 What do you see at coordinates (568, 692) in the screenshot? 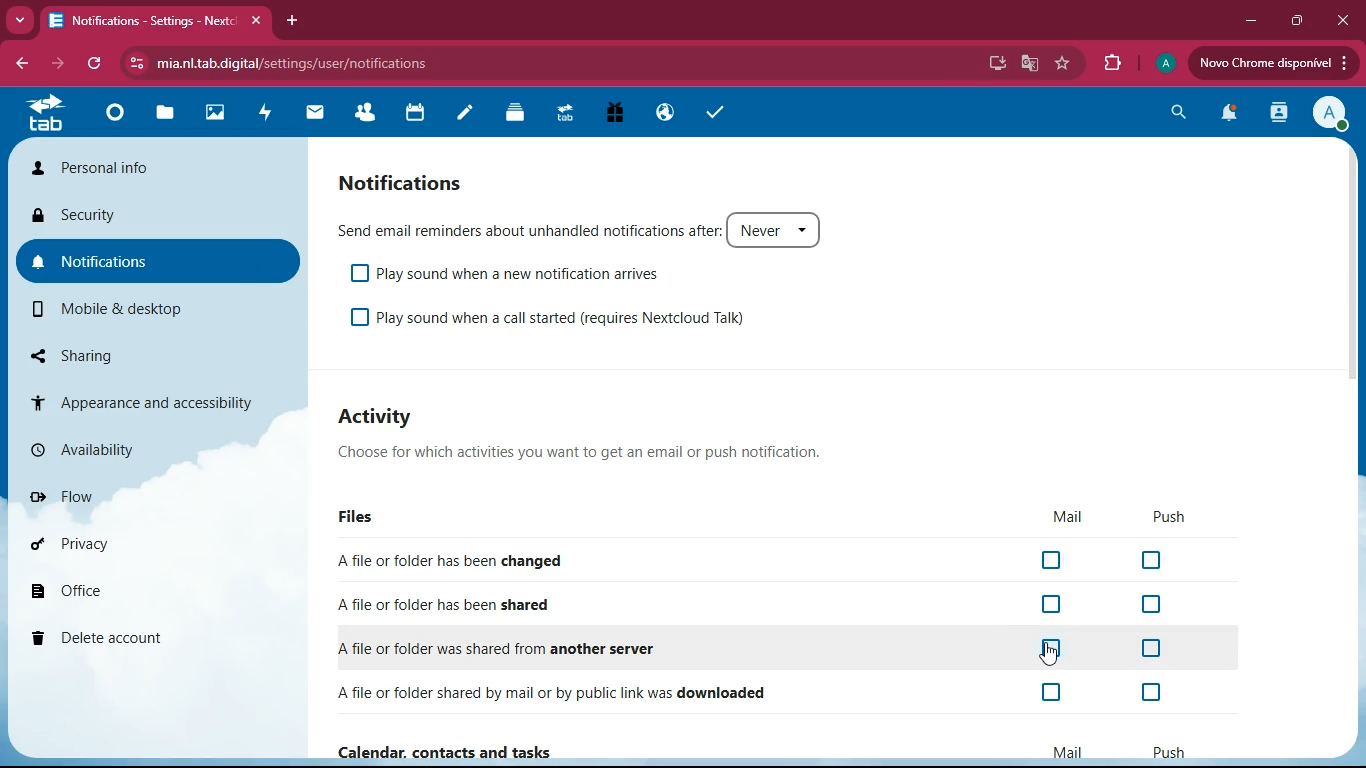
I see `downloaded` at bounding box center [568, 692].